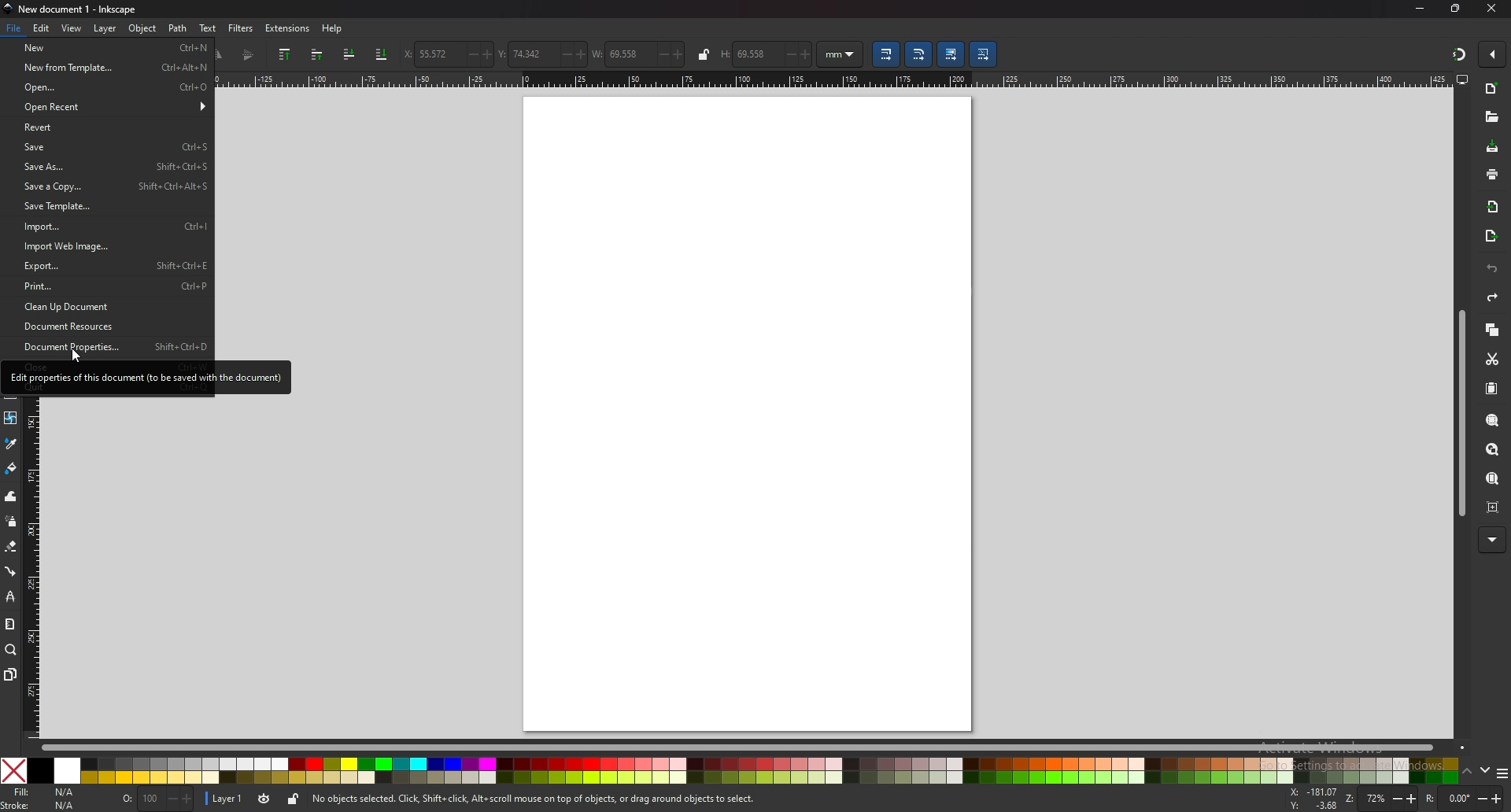 This screenshot has width=1511, height=812. Describe the element at coordinates (263, 799) in the screenshot. I see `current layer visibility` at that location.